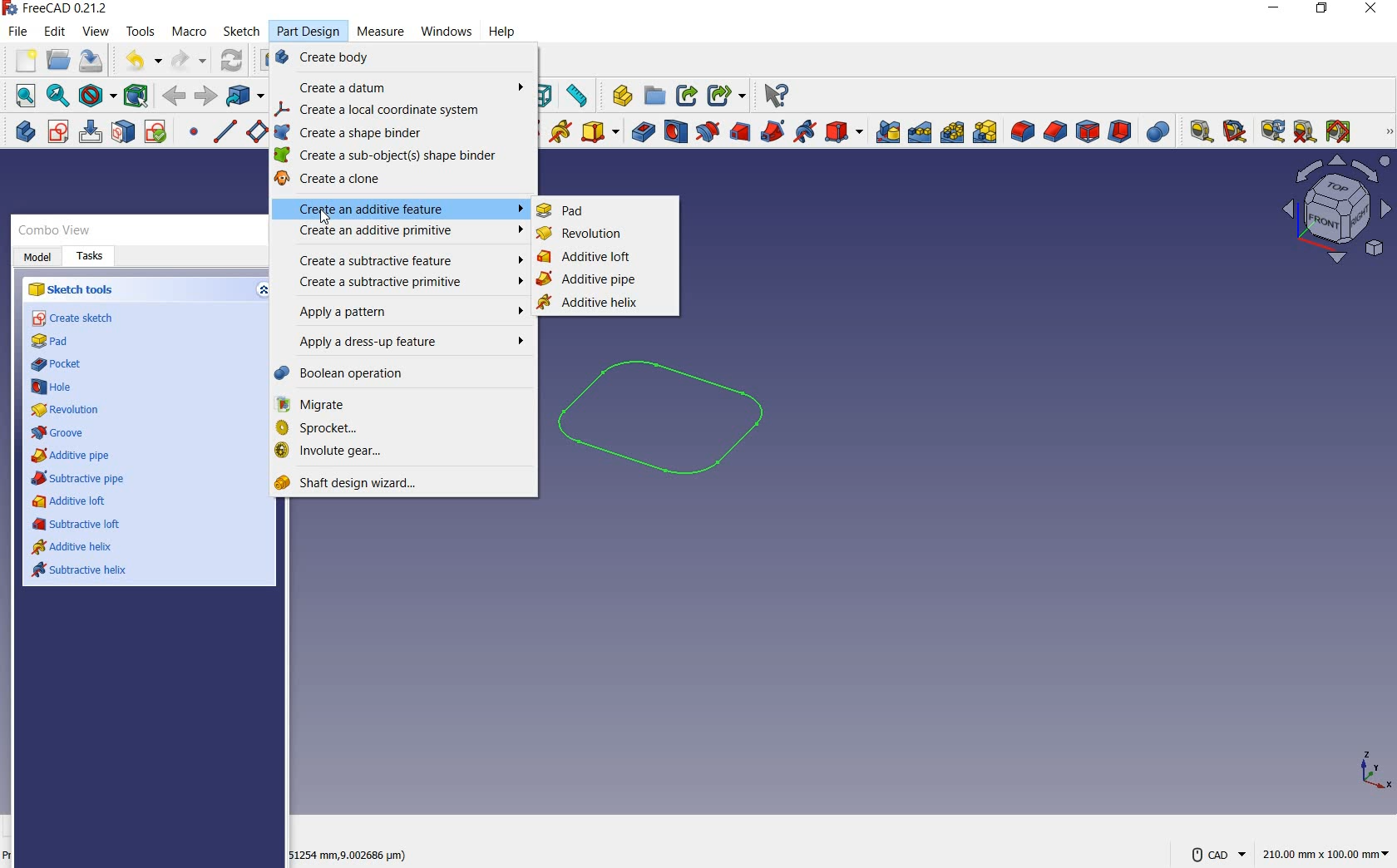 The image size is (1397, 868). I want to click on view, so click(1335, 214).